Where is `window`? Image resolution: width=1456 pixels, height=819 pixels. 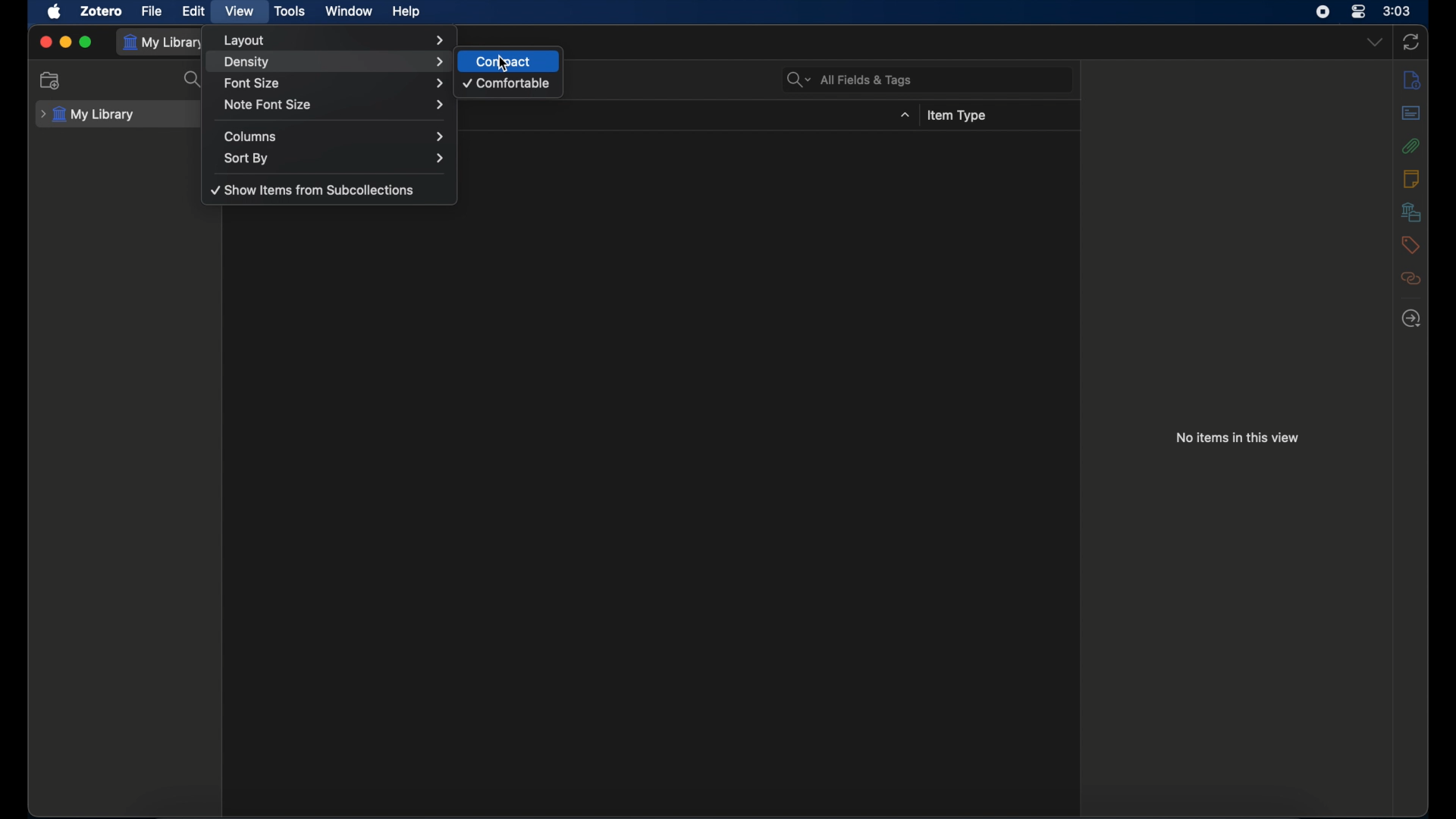
window is located at coordinates (350, 11).